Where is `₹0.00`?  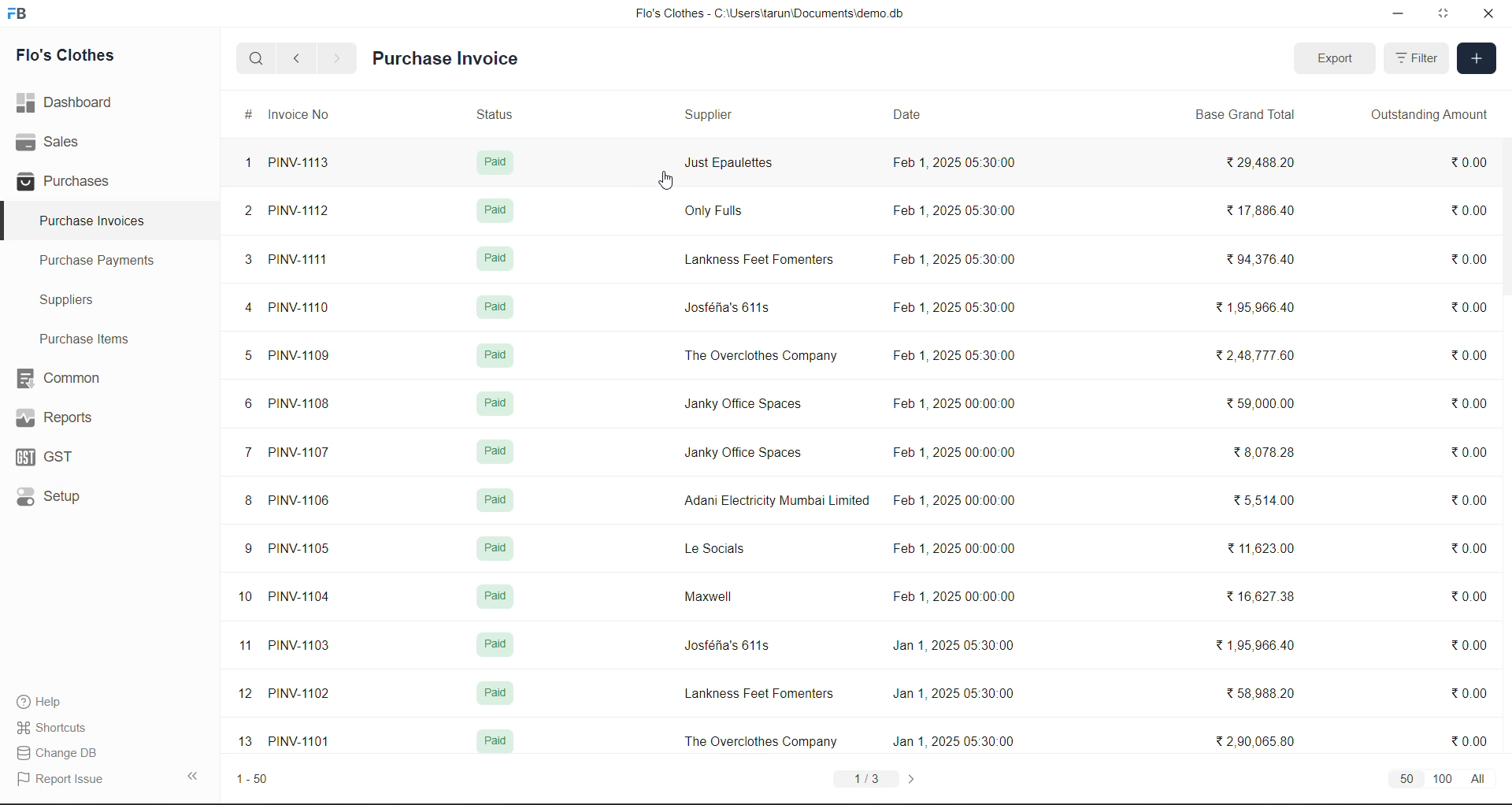 ₹0.00 is located at coordinates (1469, 647).